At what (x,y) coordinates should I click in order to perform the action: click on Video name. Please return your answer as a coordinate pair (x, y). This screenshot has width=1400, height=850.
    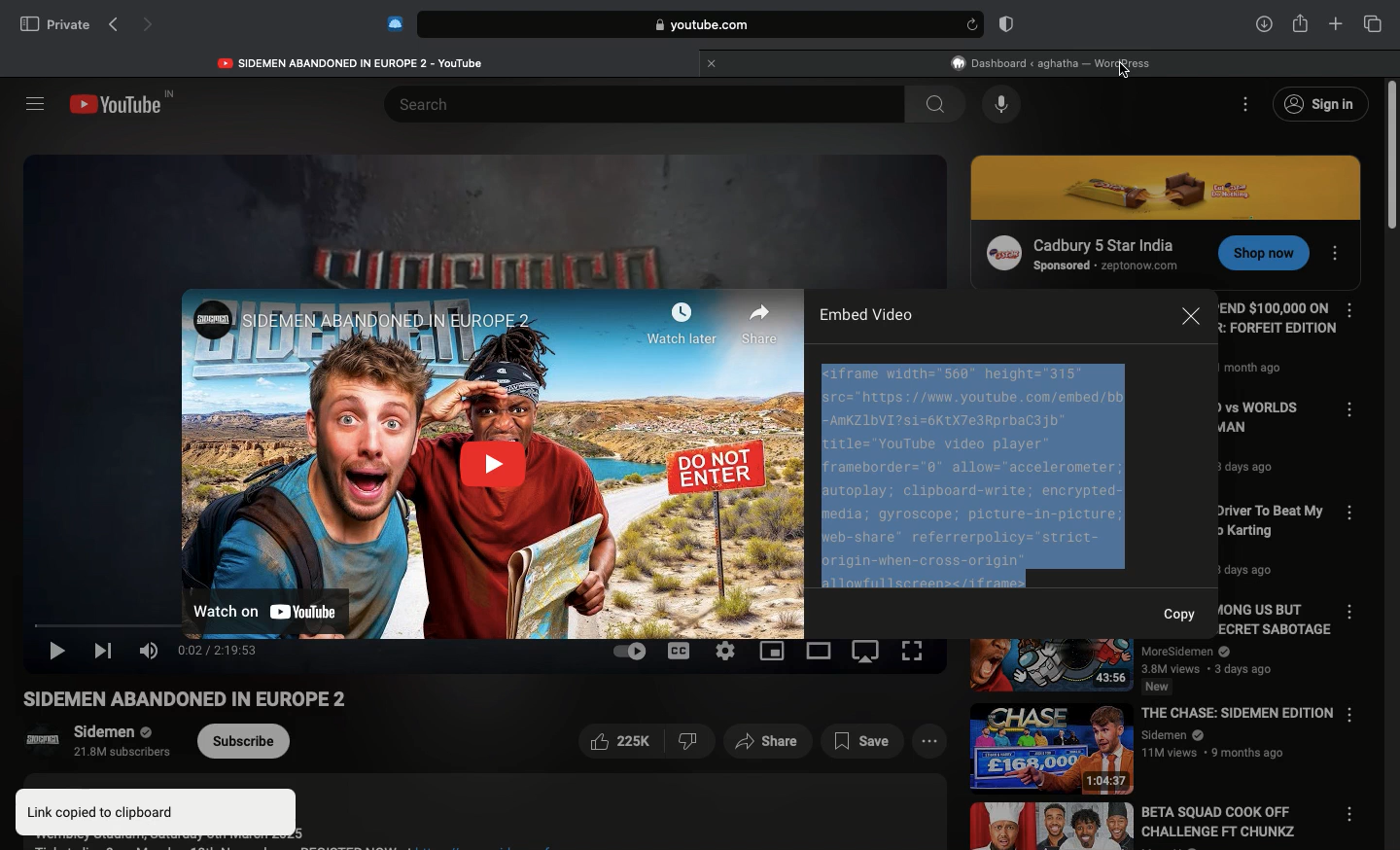
    Looking at the image, I should click on (1150, 665).